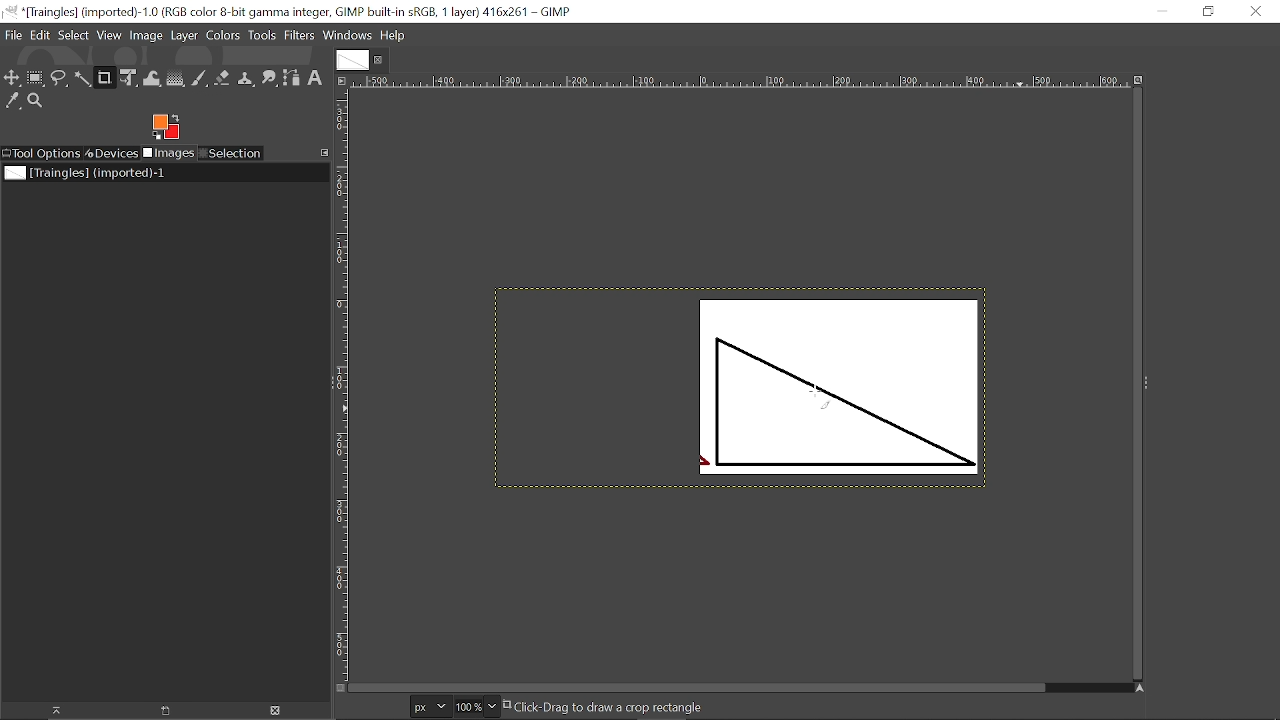 The image size is (1280, 720). I want to click on Fuzzy select tool, so click(83, 80).